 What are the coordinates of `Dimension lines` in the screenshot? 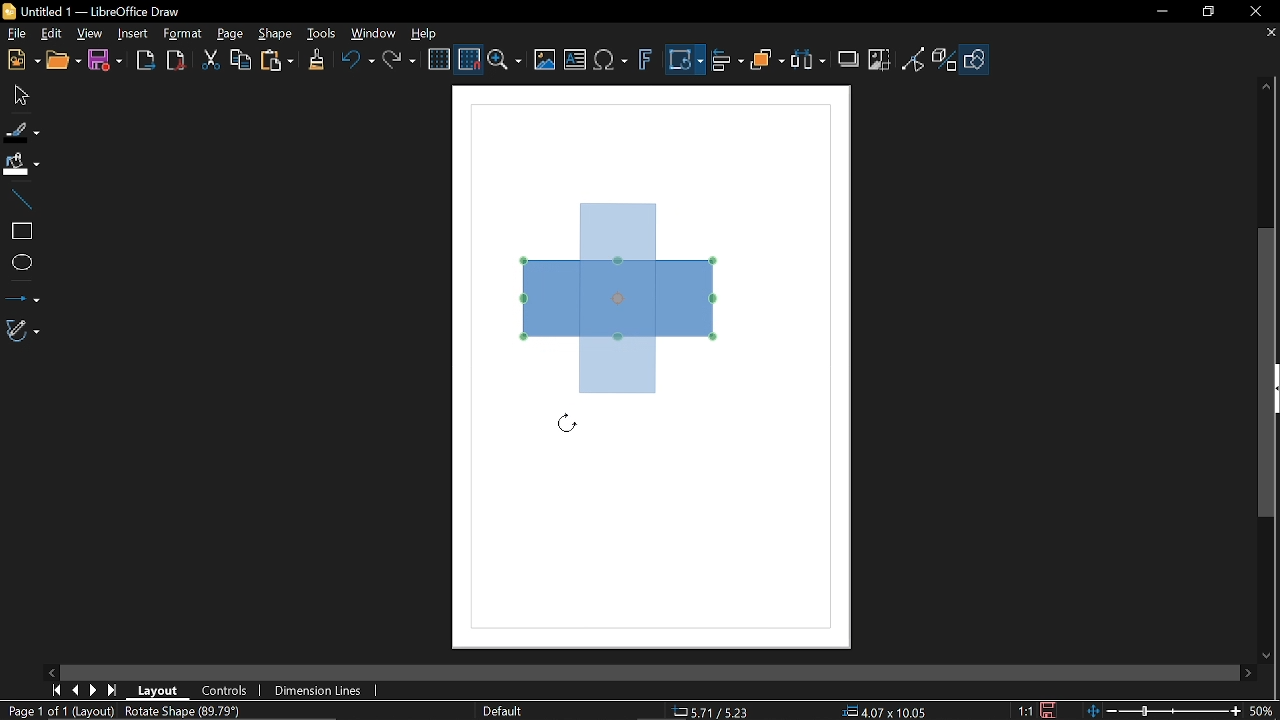 It's located at (322, 692).